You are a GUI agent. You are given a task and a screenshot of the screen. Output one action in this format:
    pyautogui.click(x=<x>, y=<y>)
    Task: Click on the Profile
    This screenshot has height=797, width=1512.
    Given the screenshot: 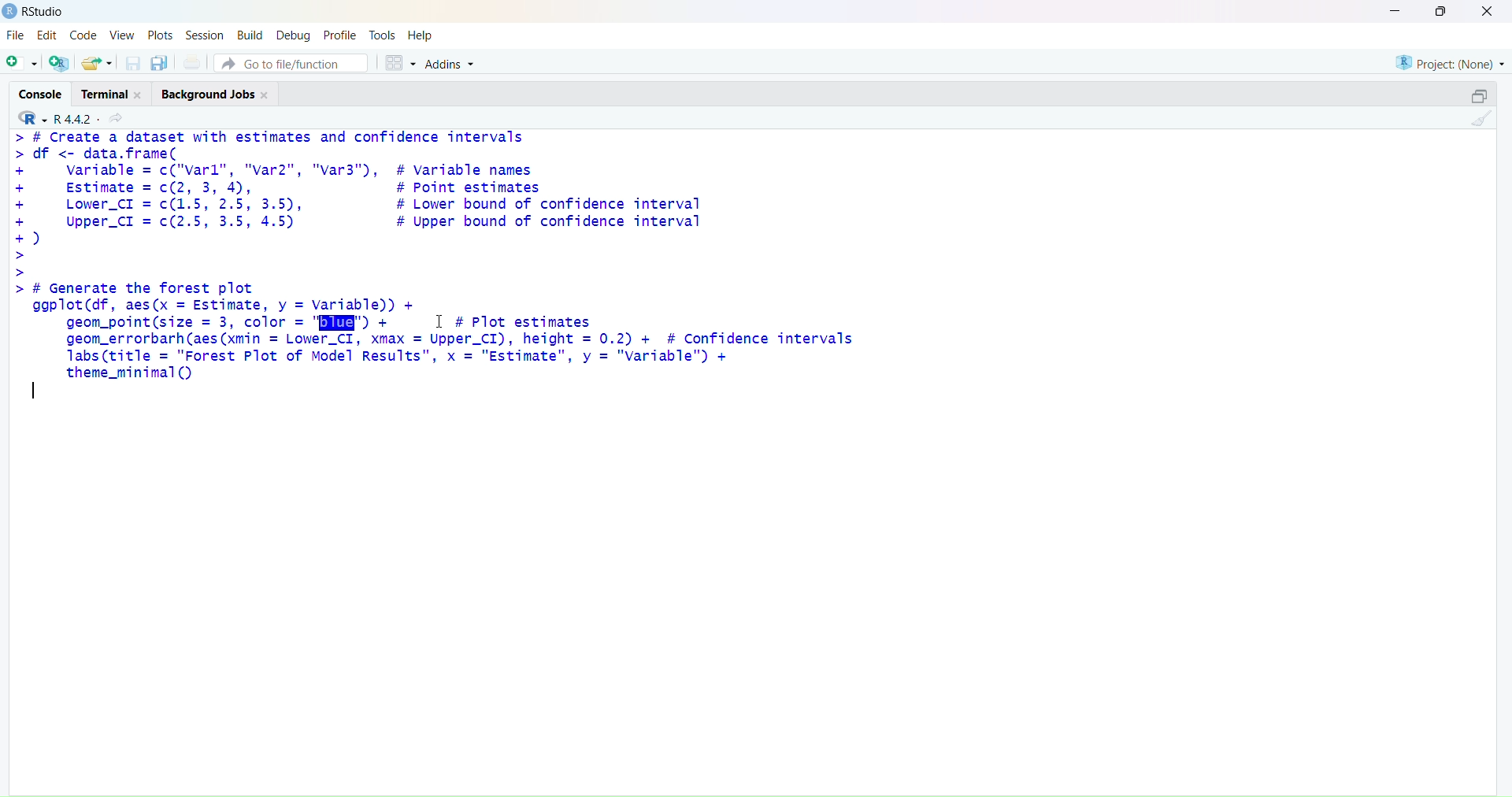 What is the action you would take?
    pyautogui.click(x=340, y=35)
    